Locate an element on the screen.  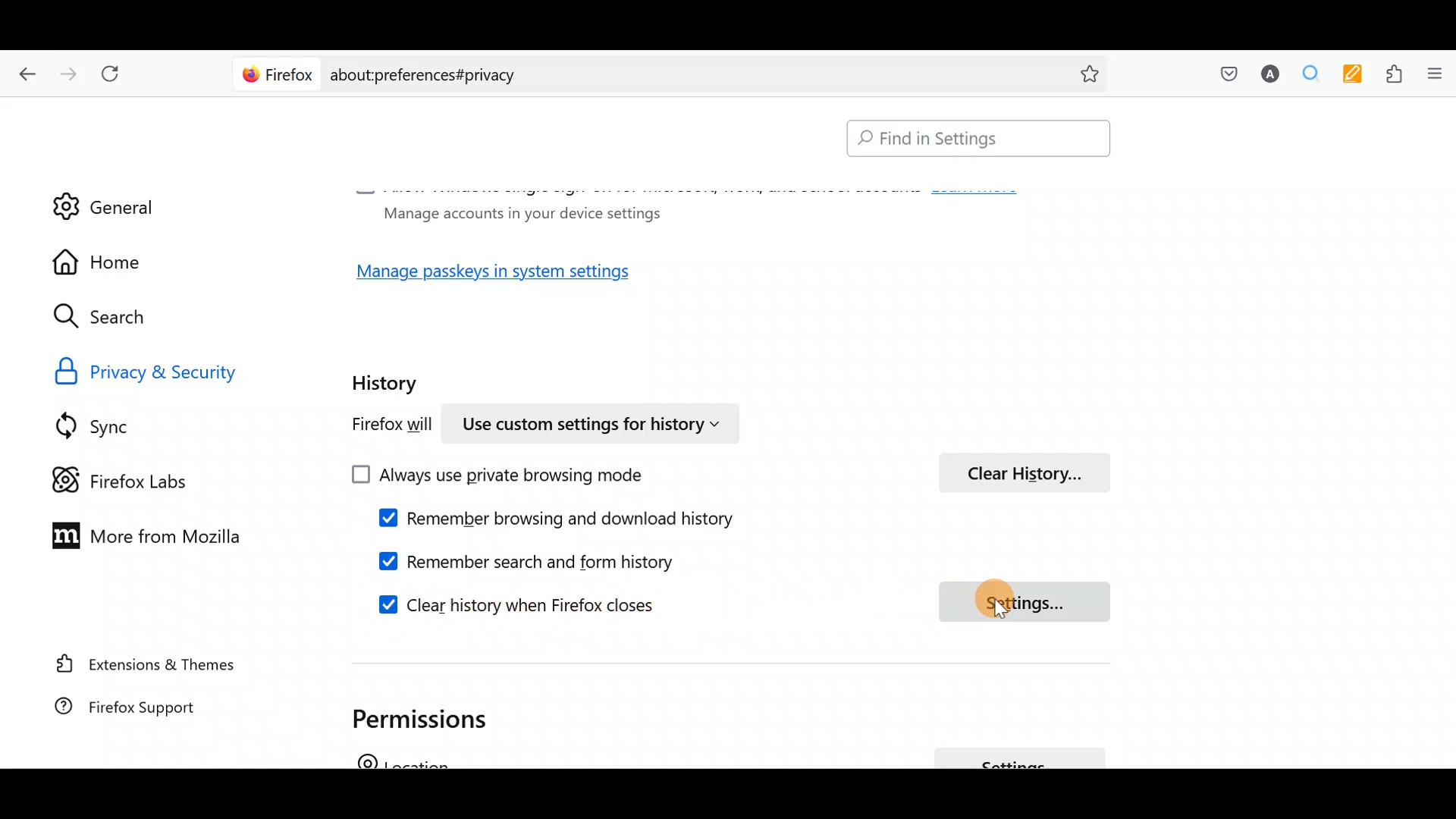
Home is located at coordinates (112, 262).